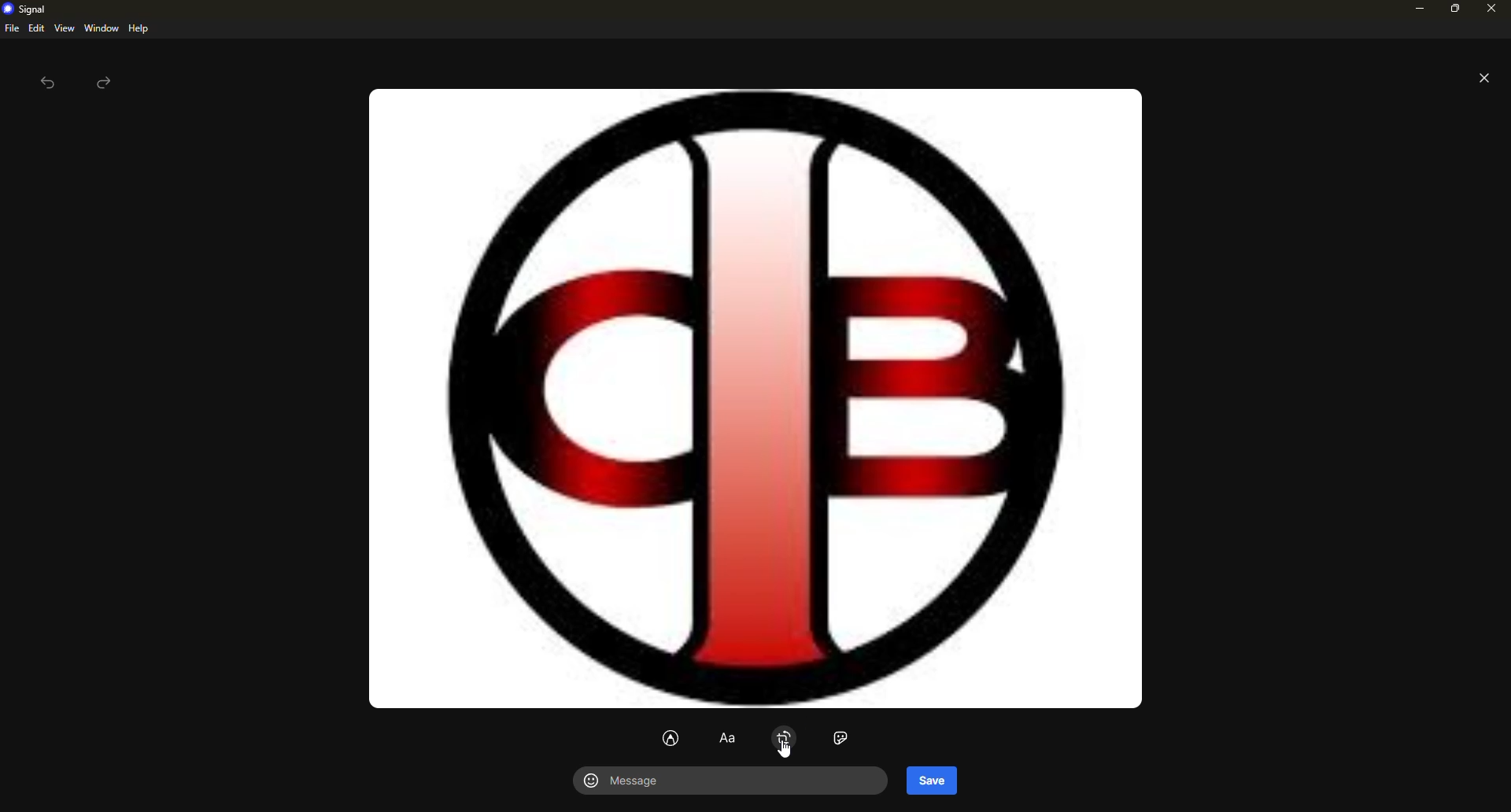 Image resolution: width=1511 pixels, height=812 pixels. What do you see at coordinates (843, 738) in the screenshot?
I see `sticker` at bounding box center [843, 738].